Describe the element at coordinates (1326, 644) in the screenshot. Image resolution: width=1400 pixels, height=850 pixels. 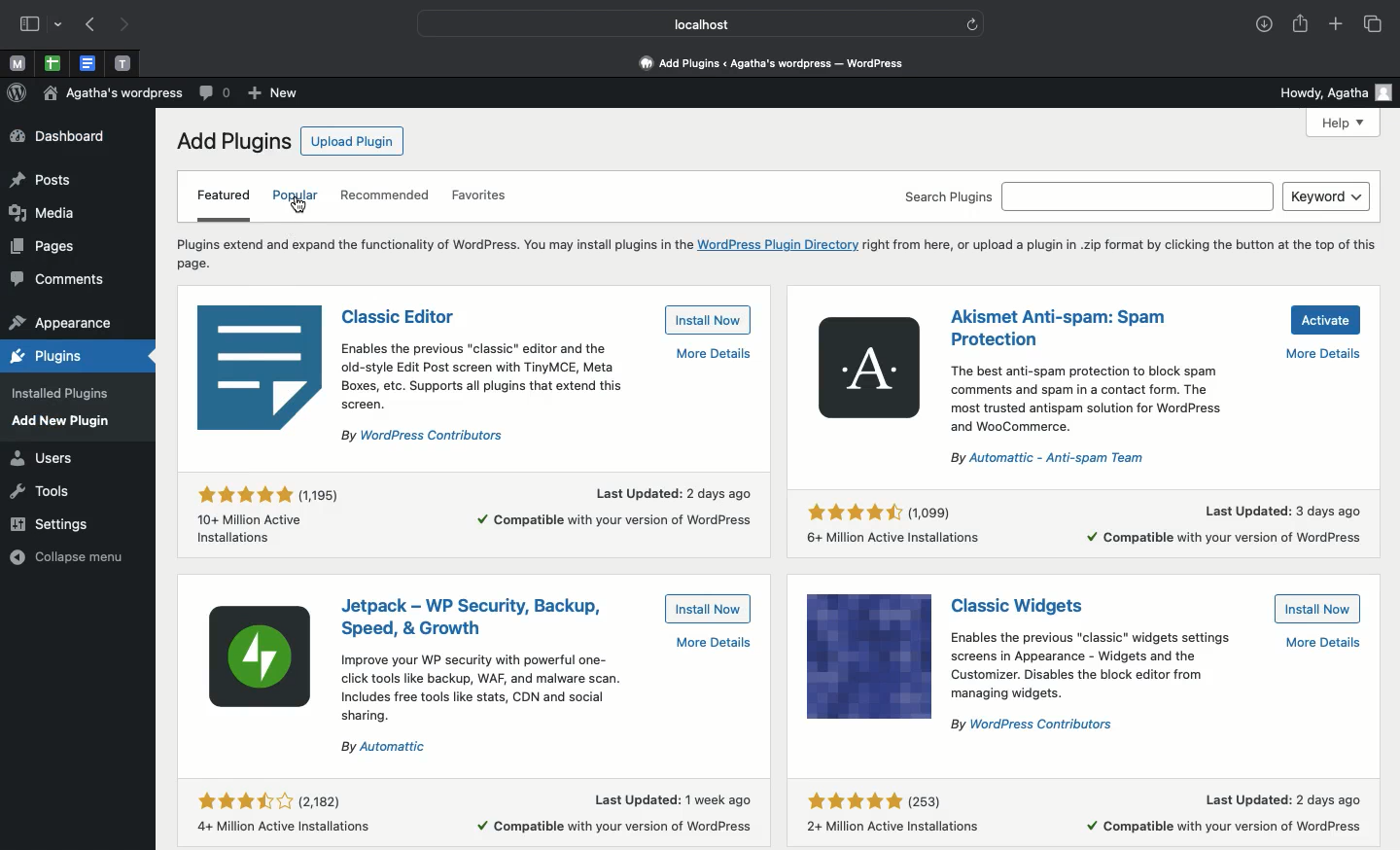
I see `More details` at that location.